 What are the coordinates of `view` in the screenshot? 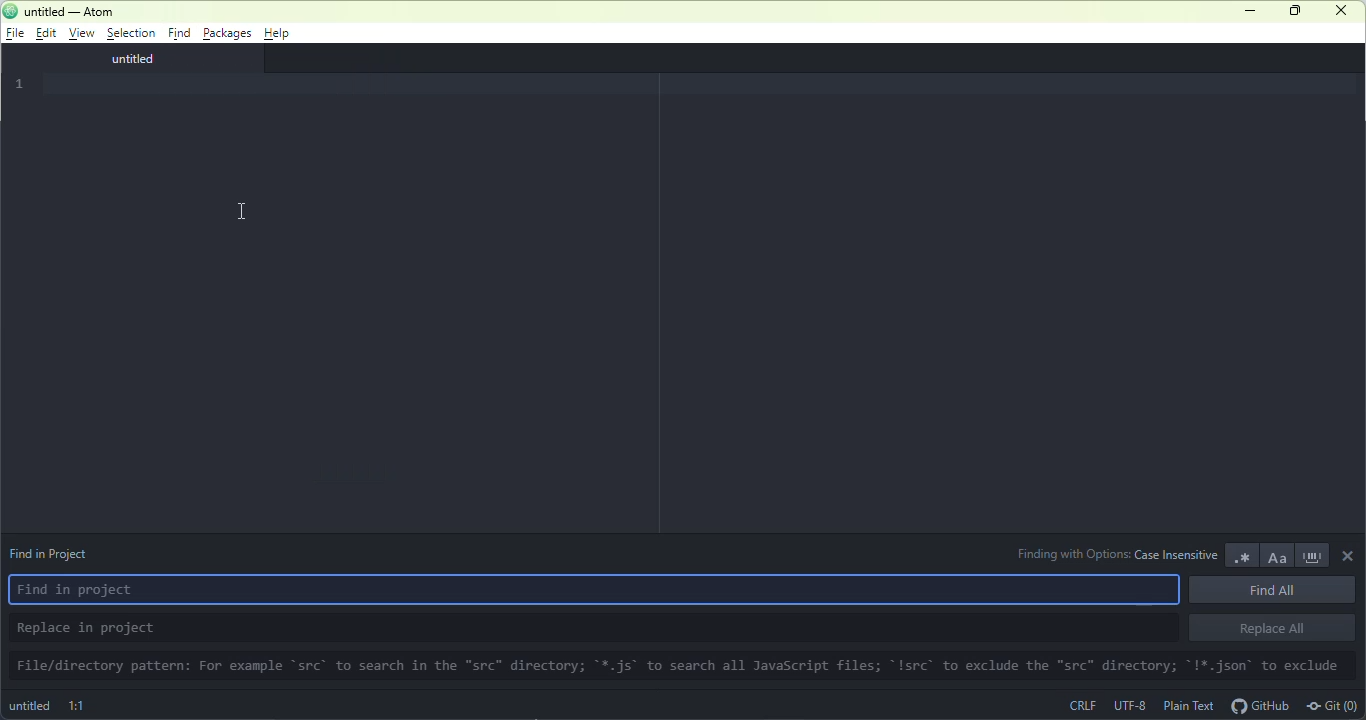 It's located at (79, 34).